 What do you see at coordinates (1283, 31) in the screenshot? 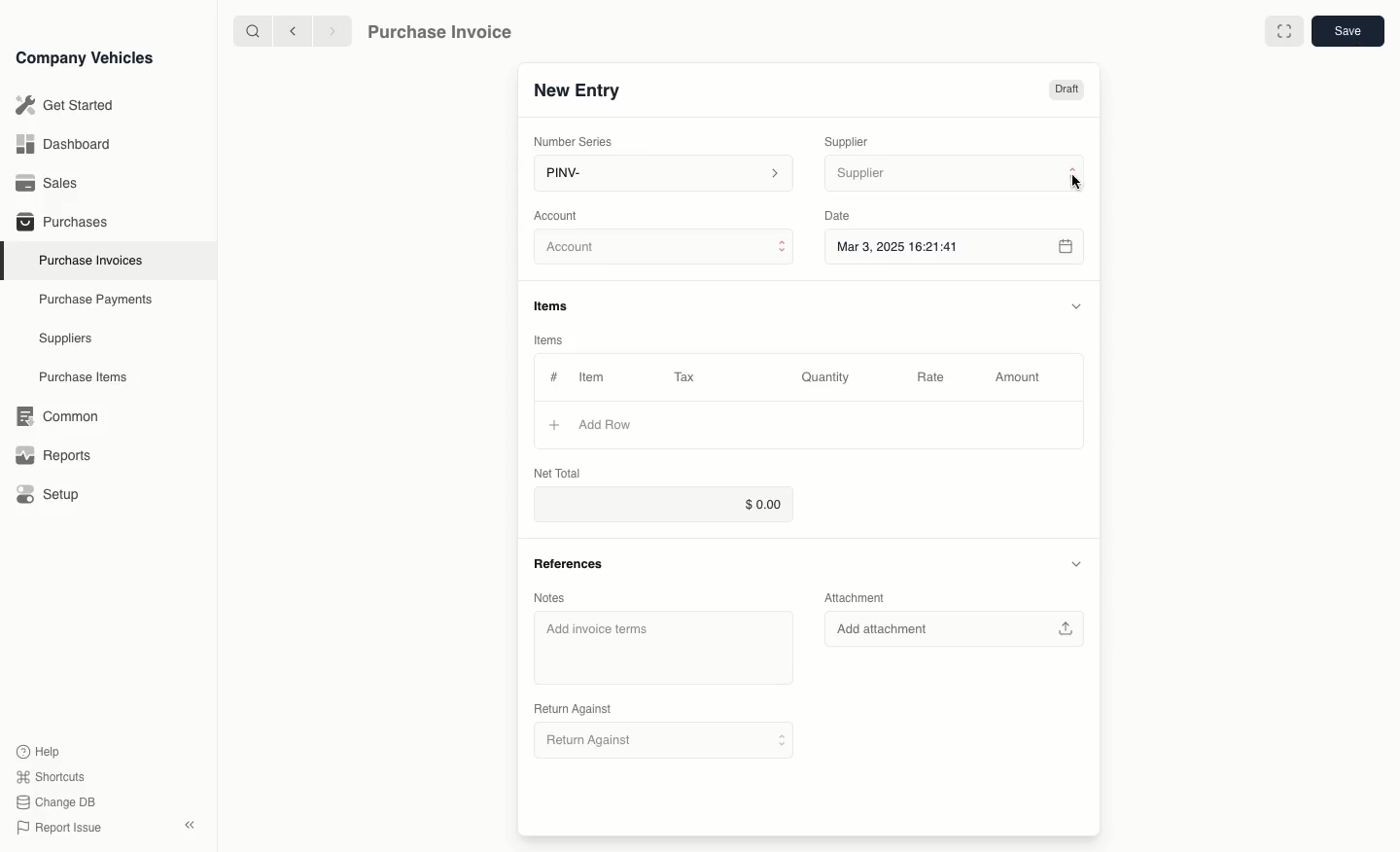
I see `full screen` at bounding box center [1283, 31].